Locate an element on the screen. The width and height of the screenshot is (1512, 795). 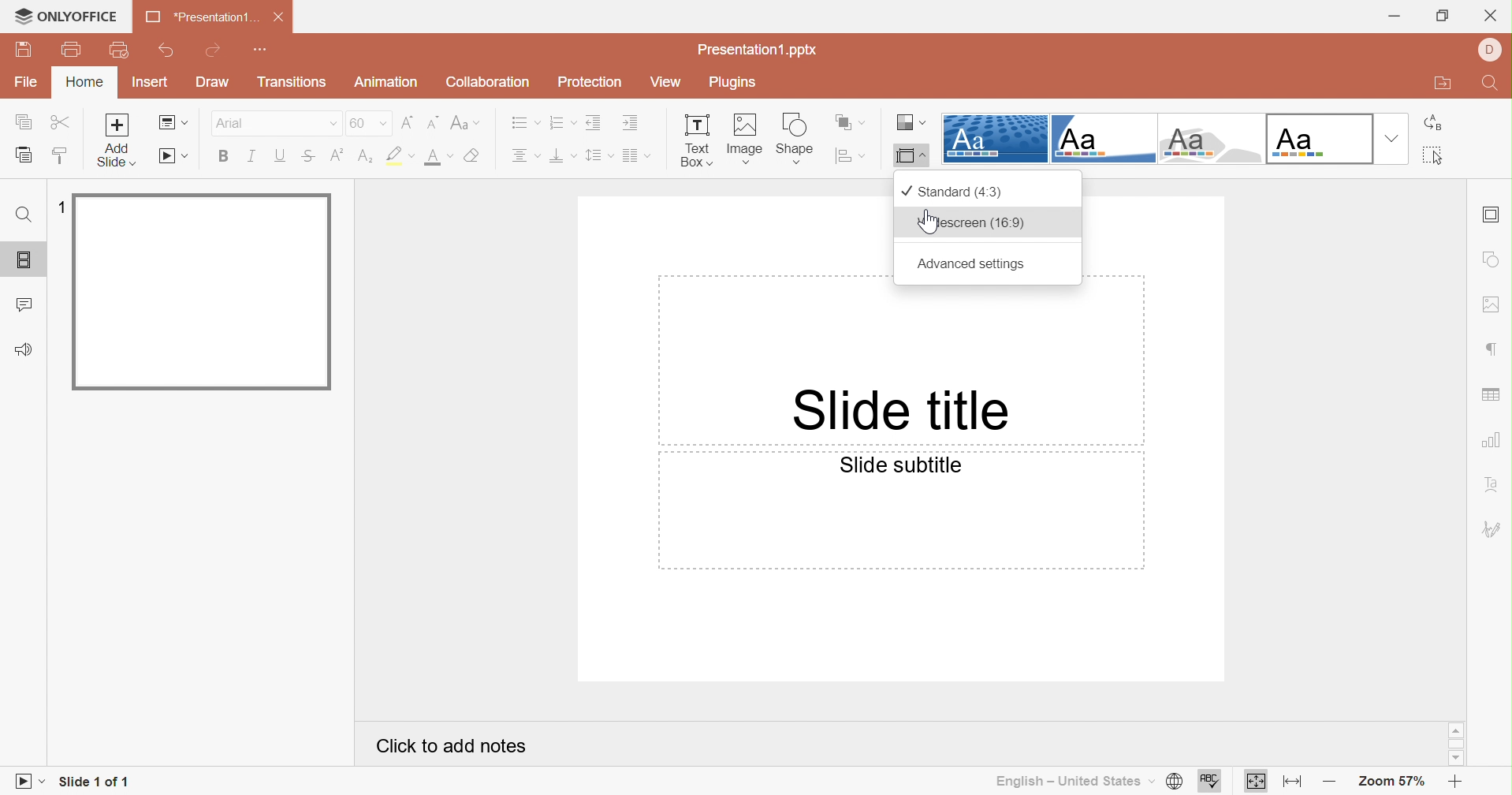
English - United States is located at coordinates (1072, 784).